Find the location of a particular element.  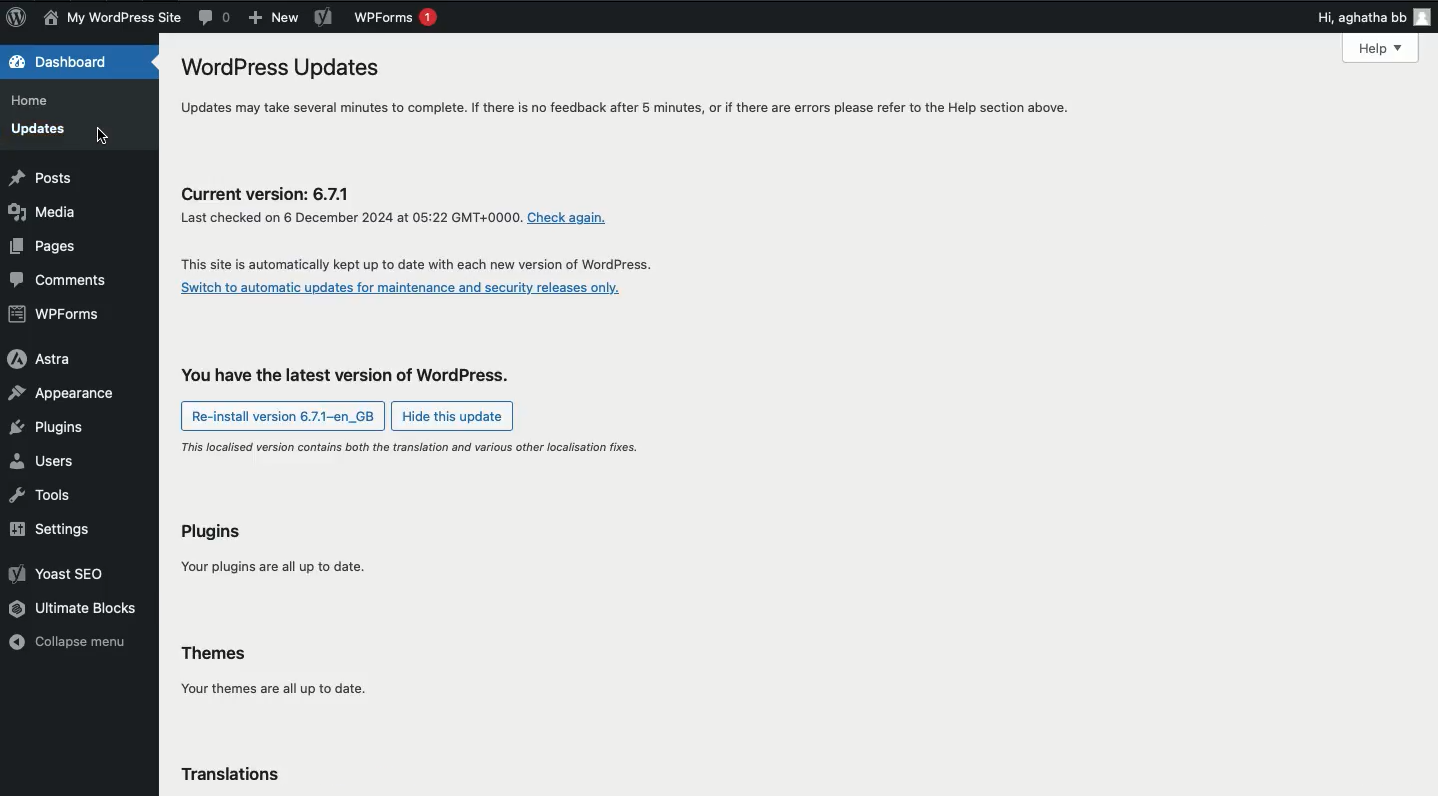

Appearance is located at coordinates (66, 391).